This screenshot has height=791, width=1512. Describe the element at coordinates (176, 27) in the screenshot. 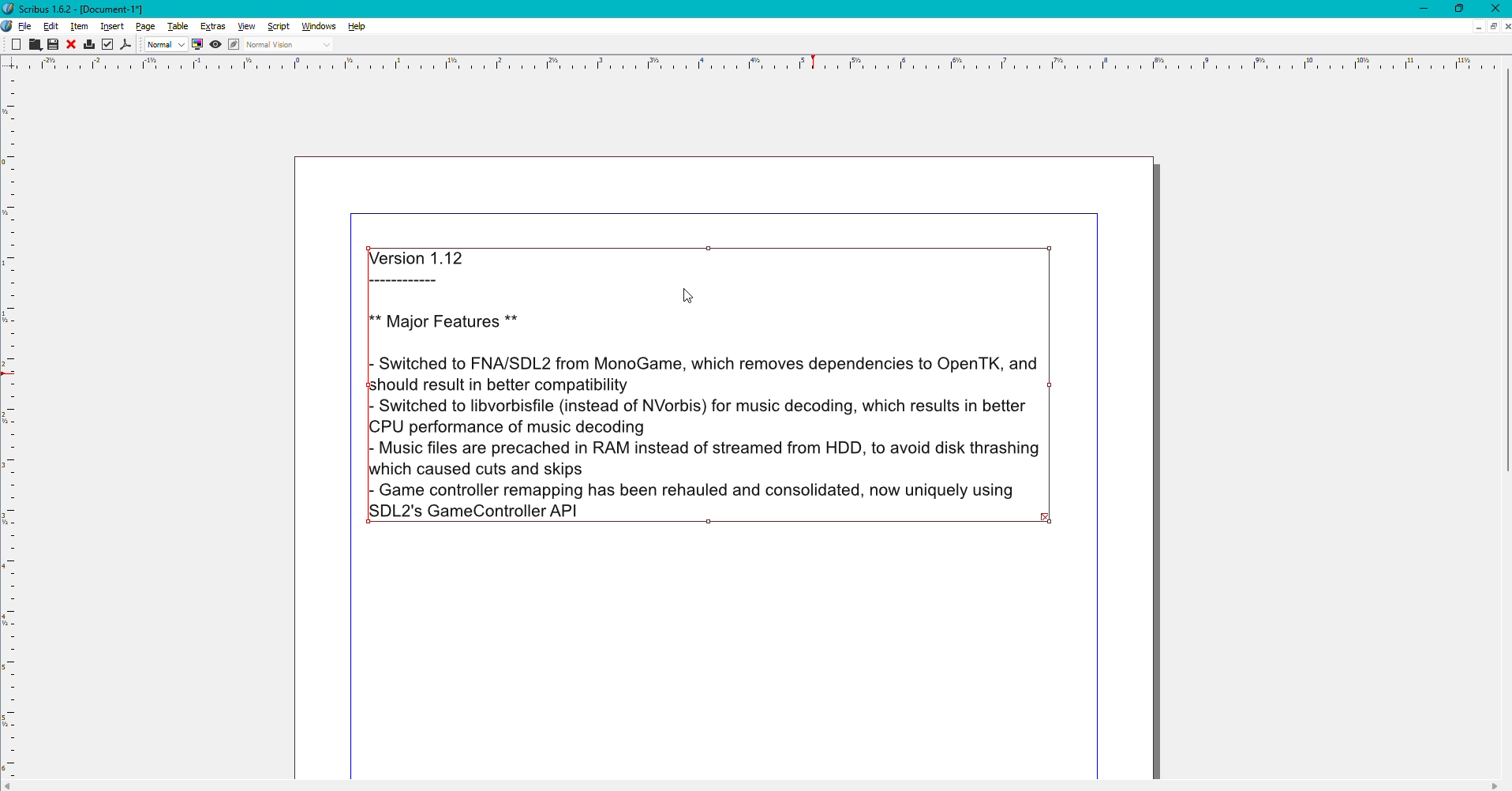

I see `Table` at that location.